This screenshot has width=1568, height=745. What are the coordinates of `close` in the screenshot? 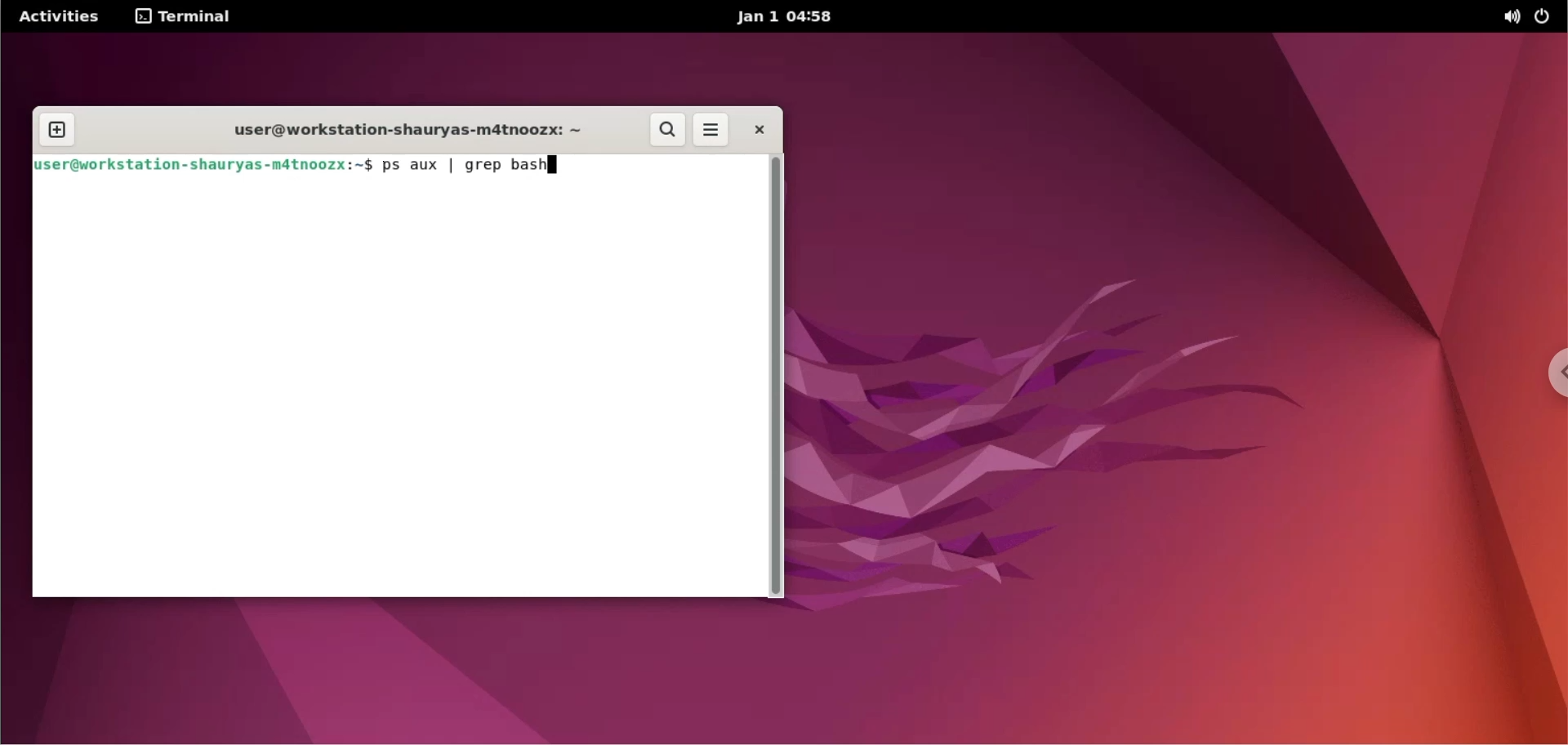 It's located at (758, 131).